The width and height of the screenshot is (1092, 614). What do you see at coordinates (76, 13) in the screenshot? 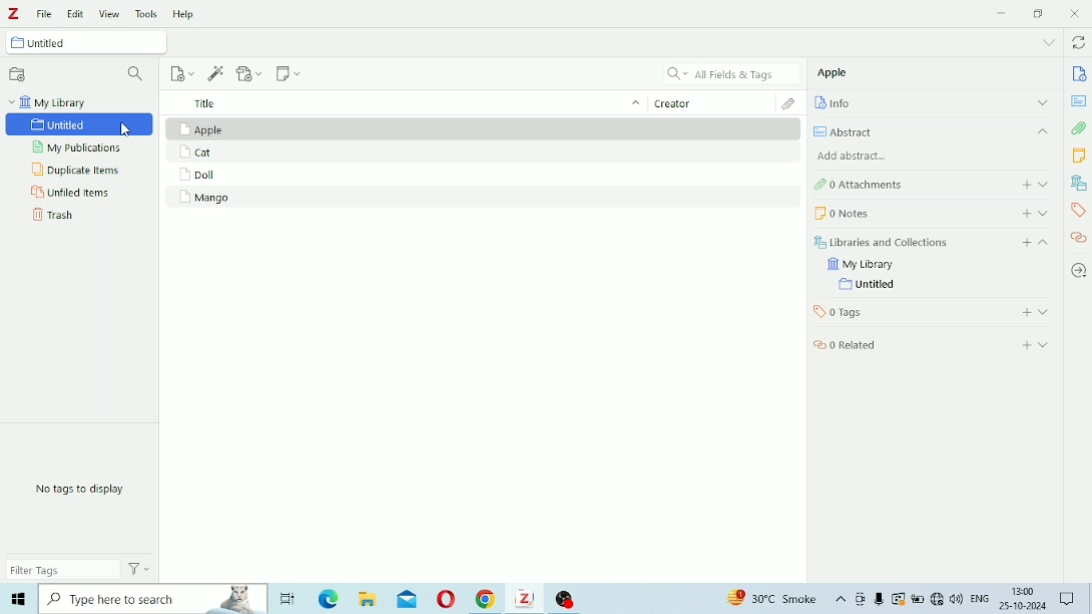
I see `Edit` at bounding box center [76, 13].